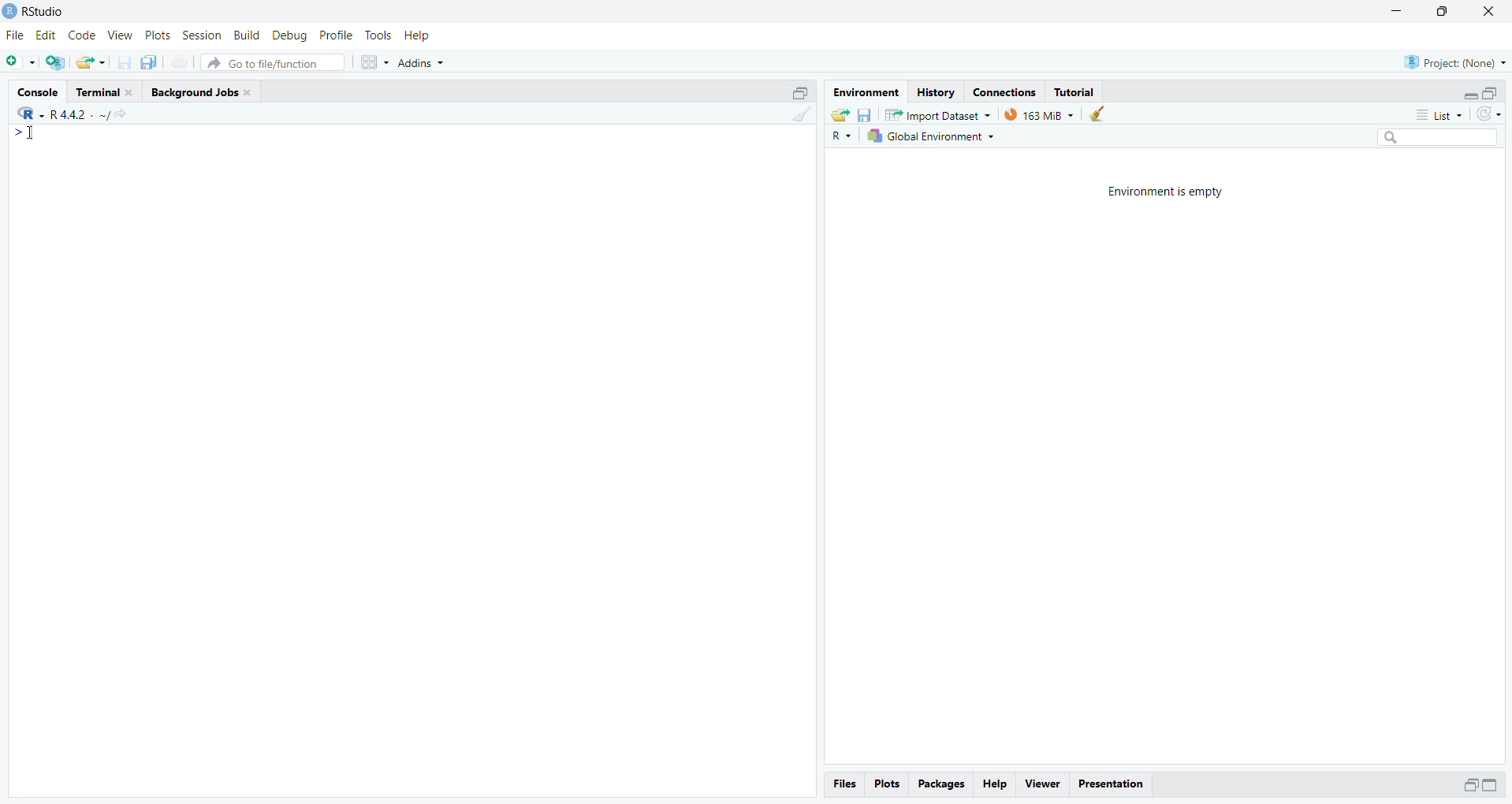  What do you see at coordinates (939, 114) in the screenshot?
I see `Import Dataset` at bounding box center [939, 114].